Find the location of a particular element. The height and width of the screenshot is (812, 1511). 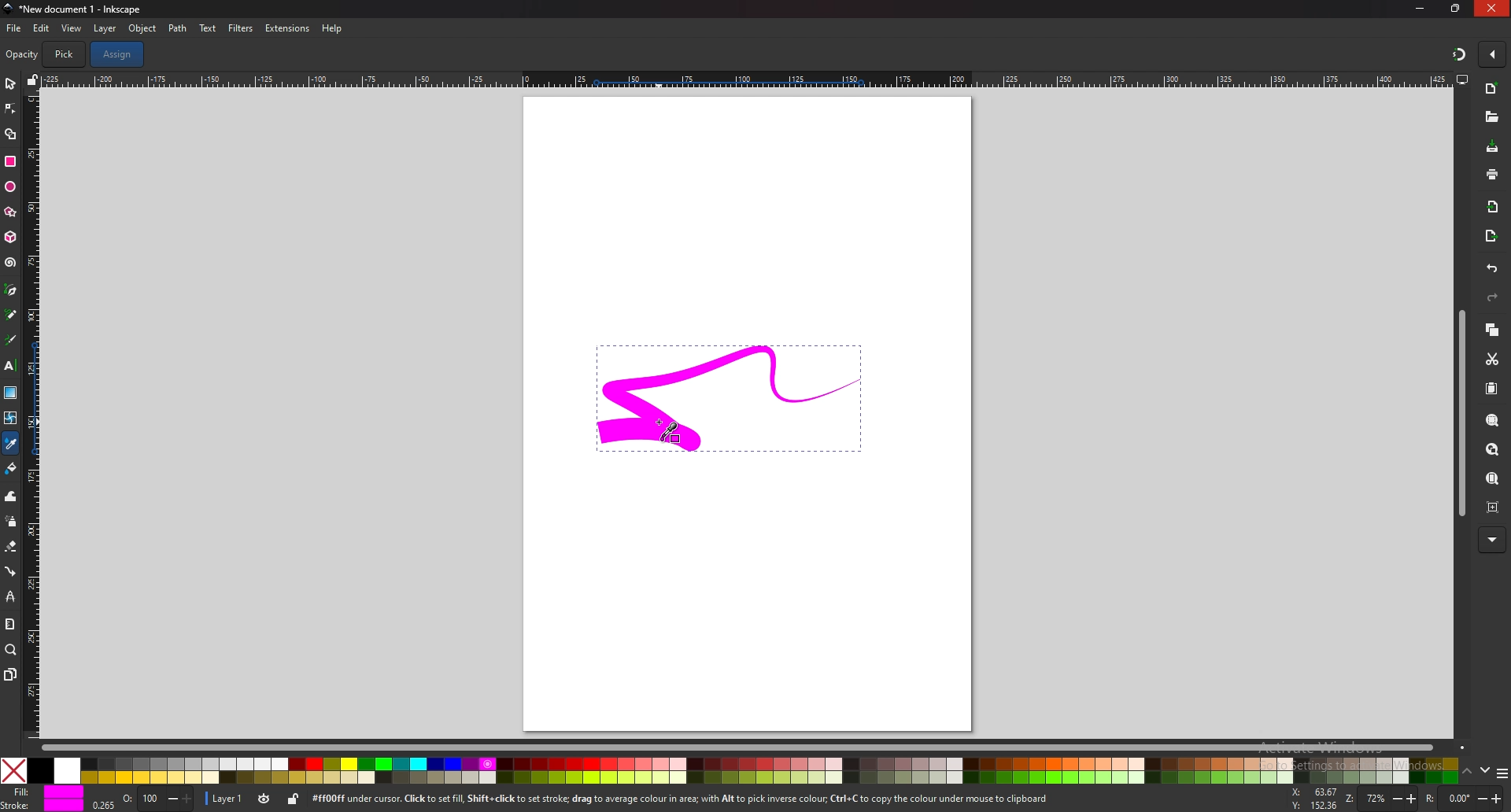

tweak is located at coordinates (12, 497).